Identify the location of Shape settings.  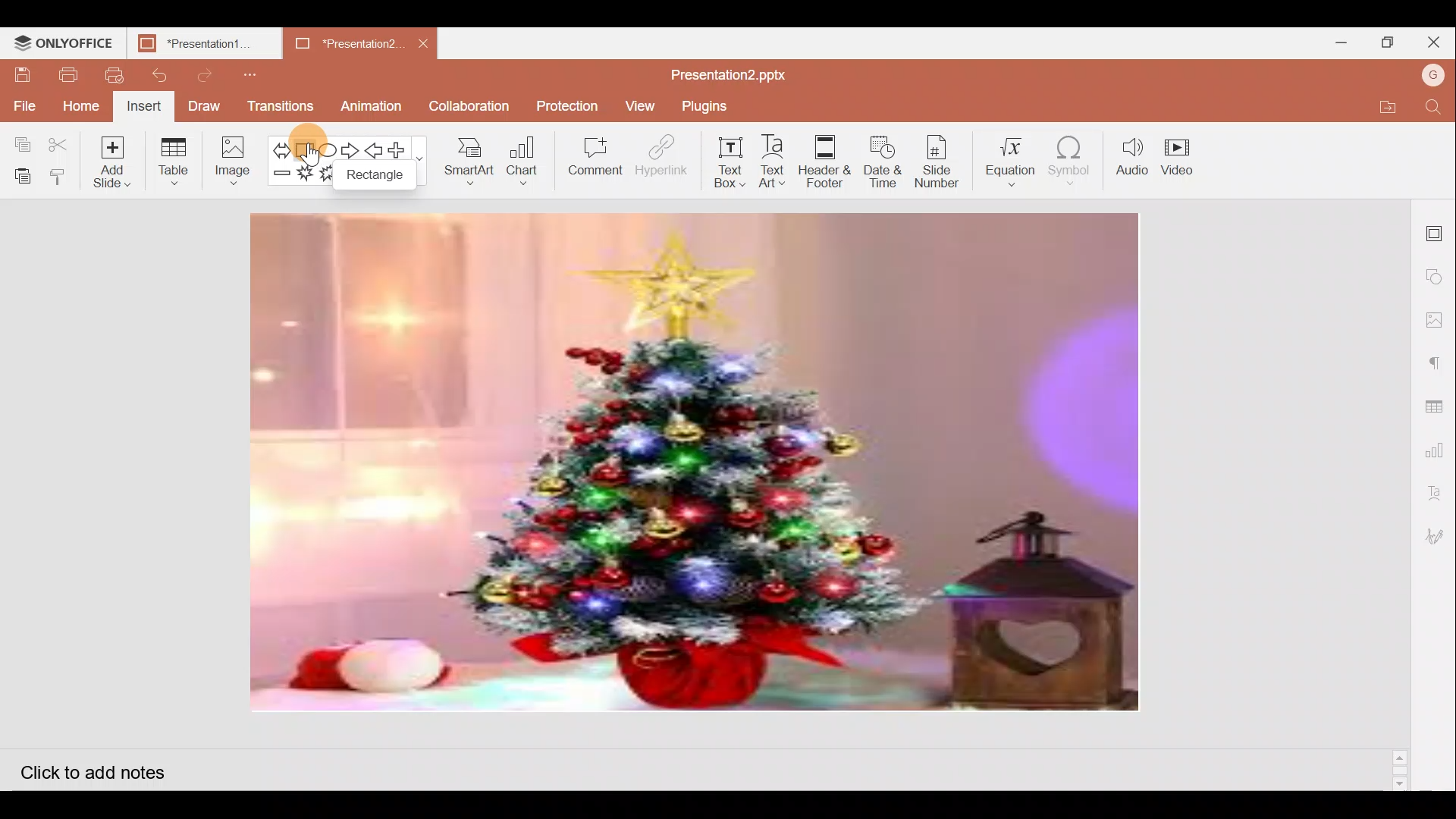
(1438, 272).